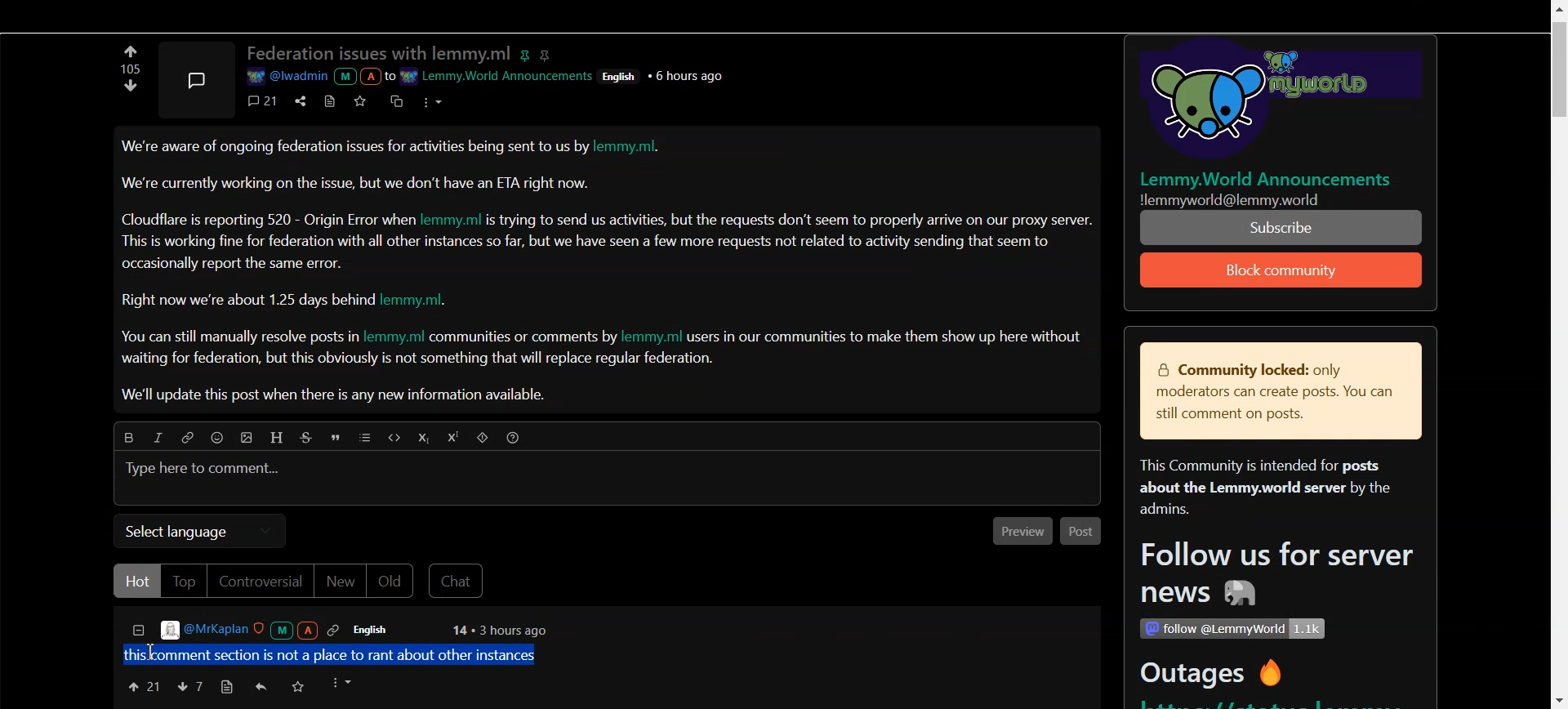 The height and width of the screenshot is (709, 1568). What do you see at coordinates (394, 337) in the screenshot?
I see `lemmy.ml` at bounding box center [394, 337].